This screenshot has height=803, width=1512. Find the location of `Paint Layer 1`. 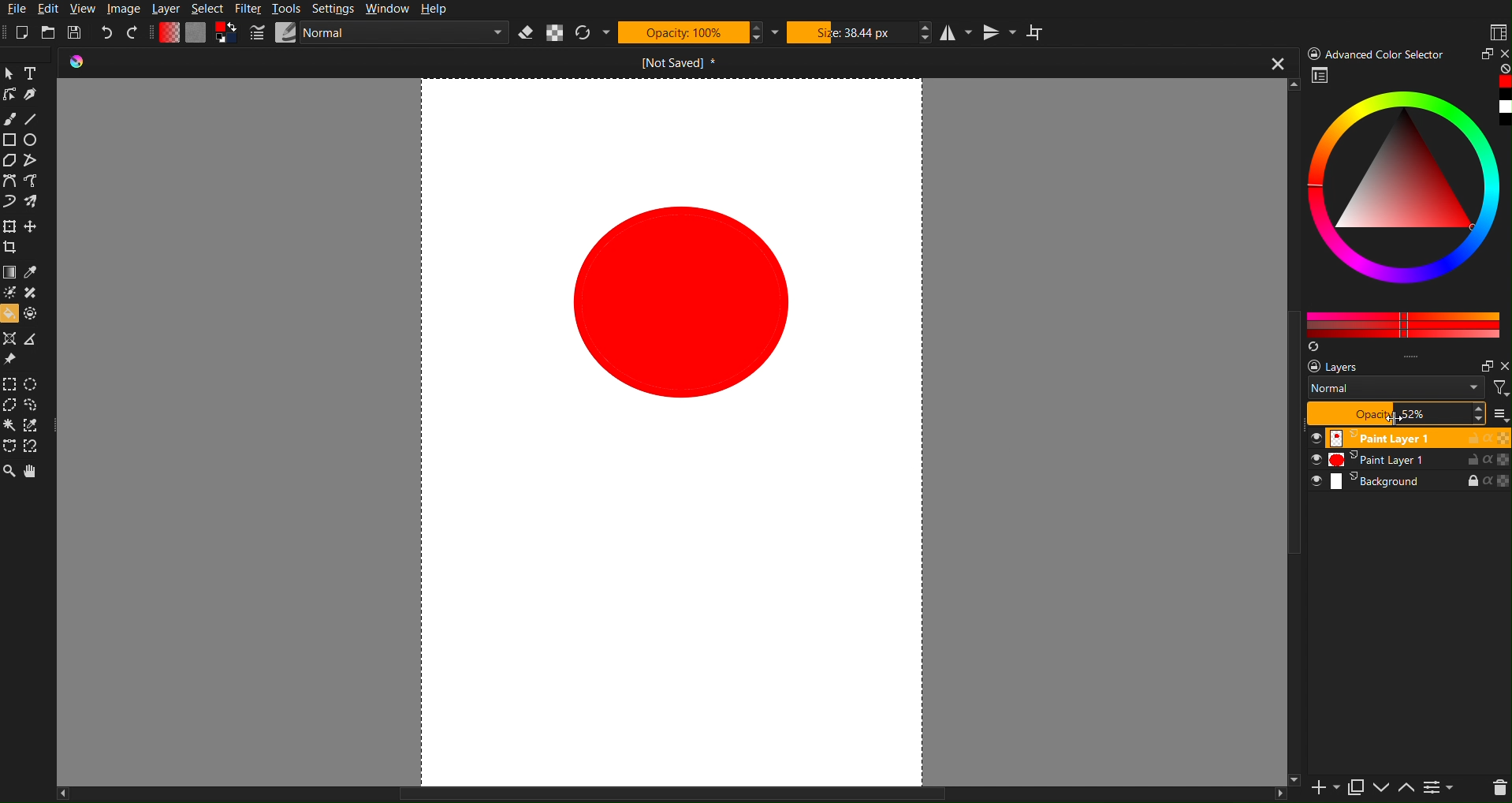

Paint Layer 1 is located at coordinates (1402, 460).